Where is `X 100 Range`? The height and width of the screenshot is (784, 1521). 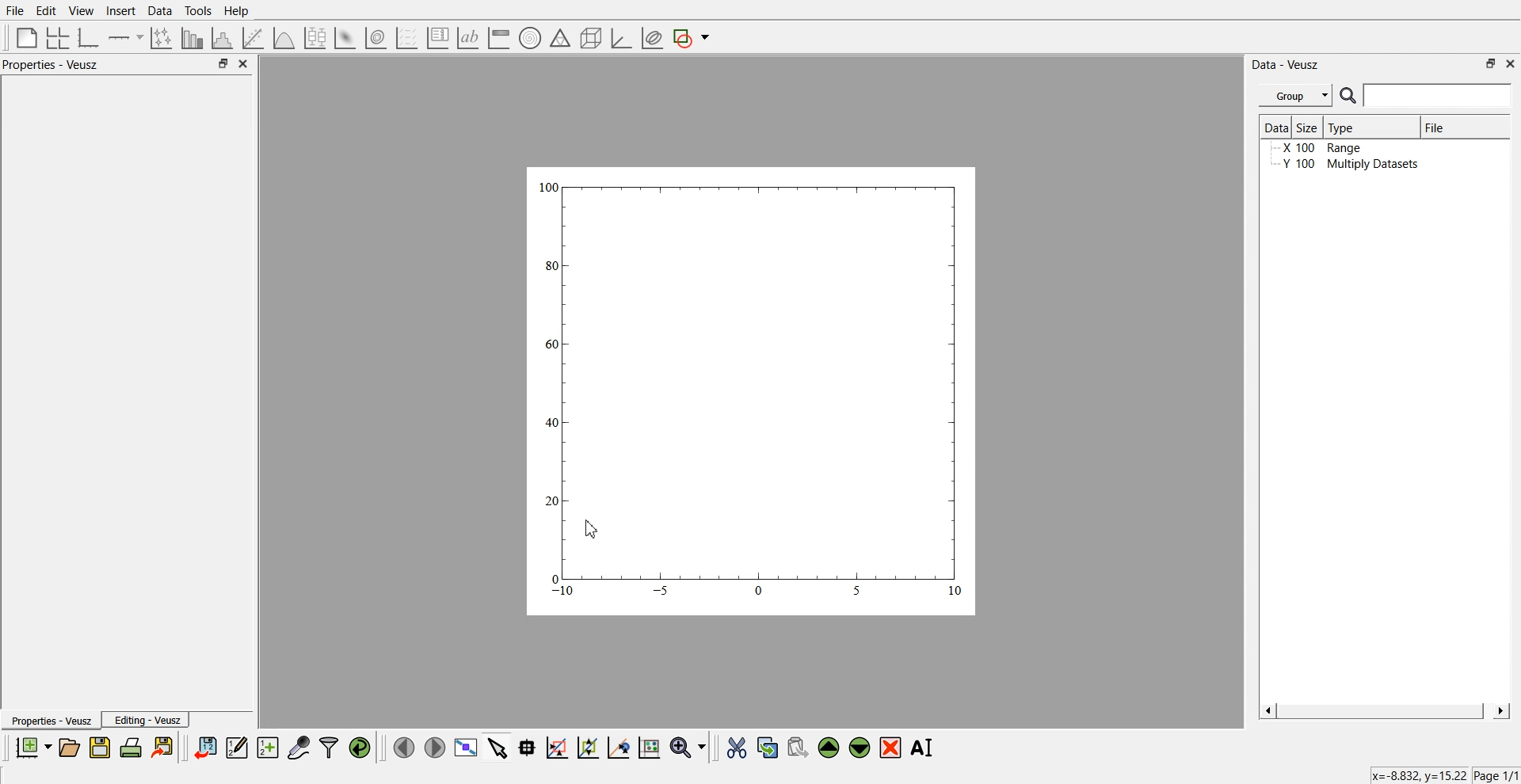 X 100 Range is located at coordinates (1325, 150).